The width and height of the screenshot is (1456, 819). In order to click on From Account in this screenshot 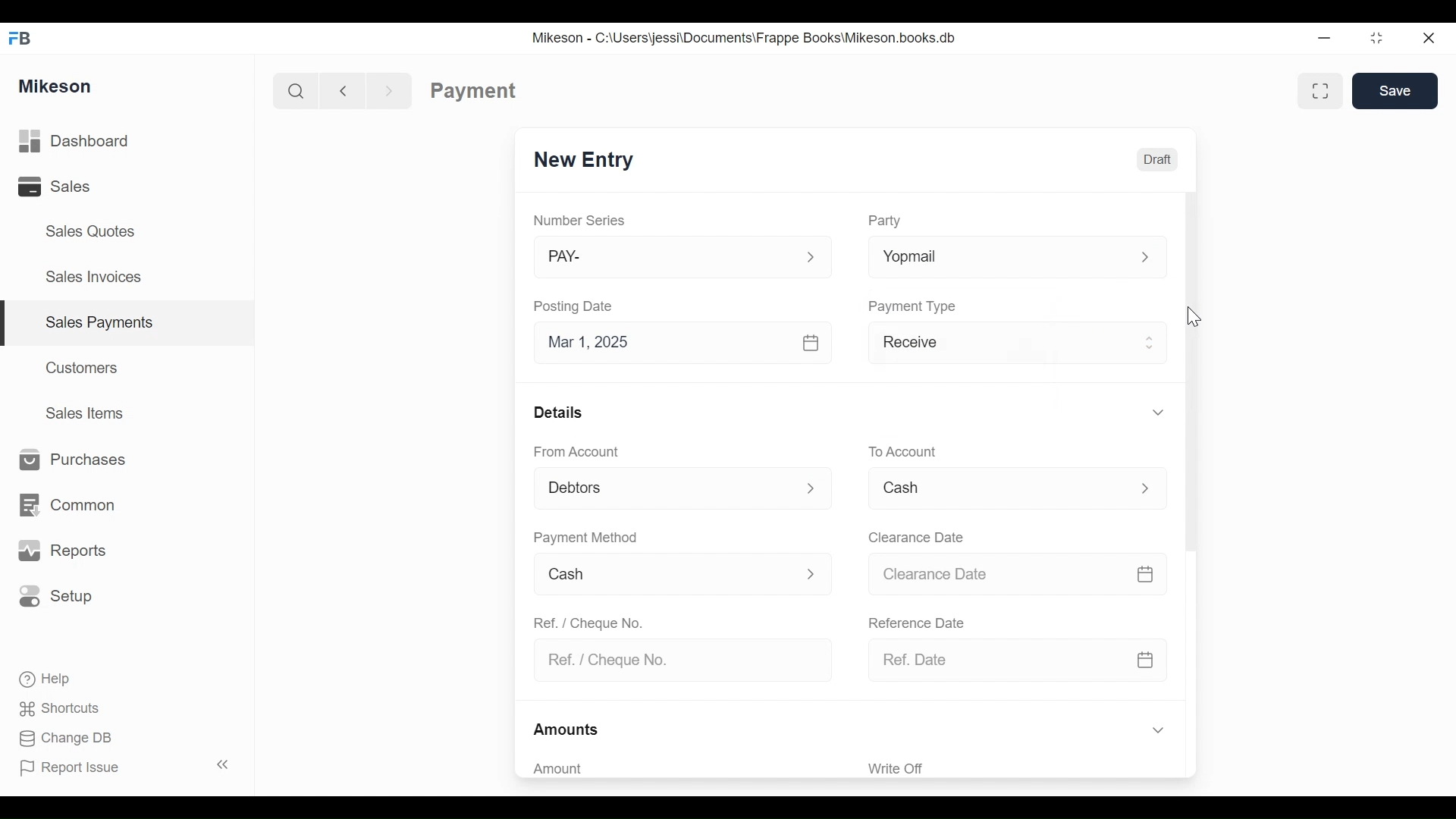, I will do `click(580, 451)`.